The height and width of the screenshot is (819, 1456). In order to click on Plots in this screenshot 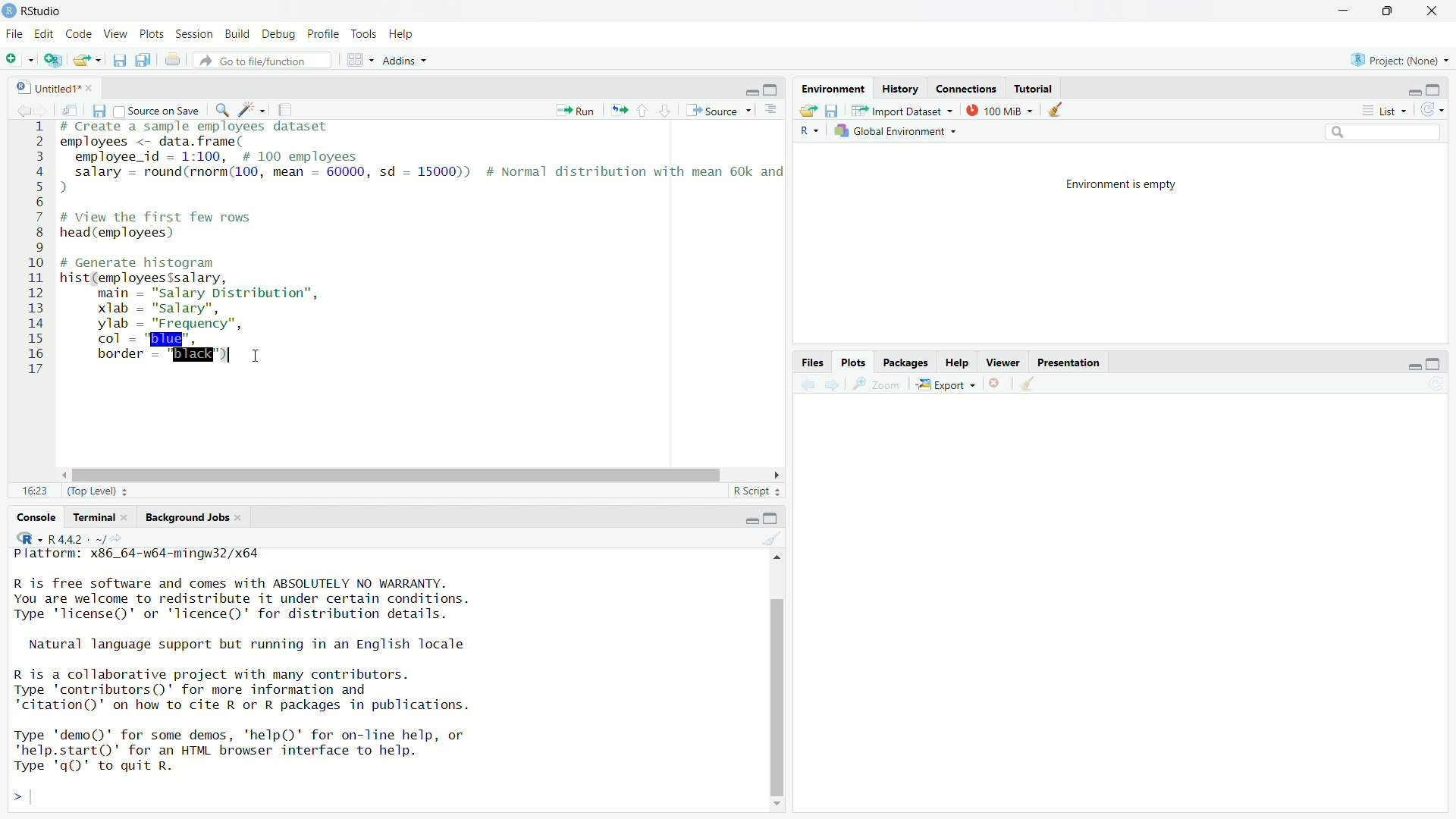, I will do `click(854, 362)`.